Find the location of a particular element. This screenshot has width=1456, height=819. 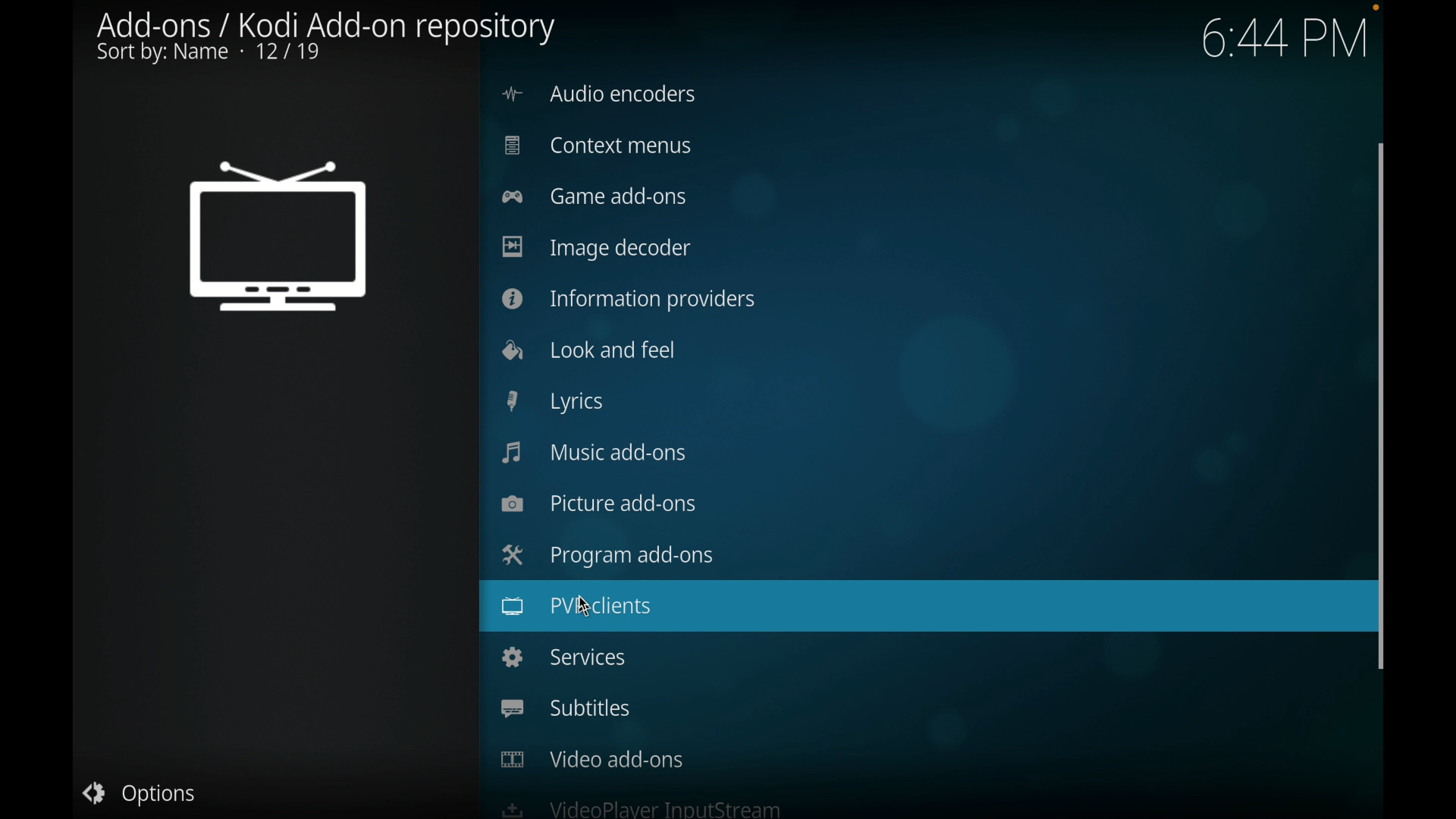

subtitles is located at coordinates (566, 708).